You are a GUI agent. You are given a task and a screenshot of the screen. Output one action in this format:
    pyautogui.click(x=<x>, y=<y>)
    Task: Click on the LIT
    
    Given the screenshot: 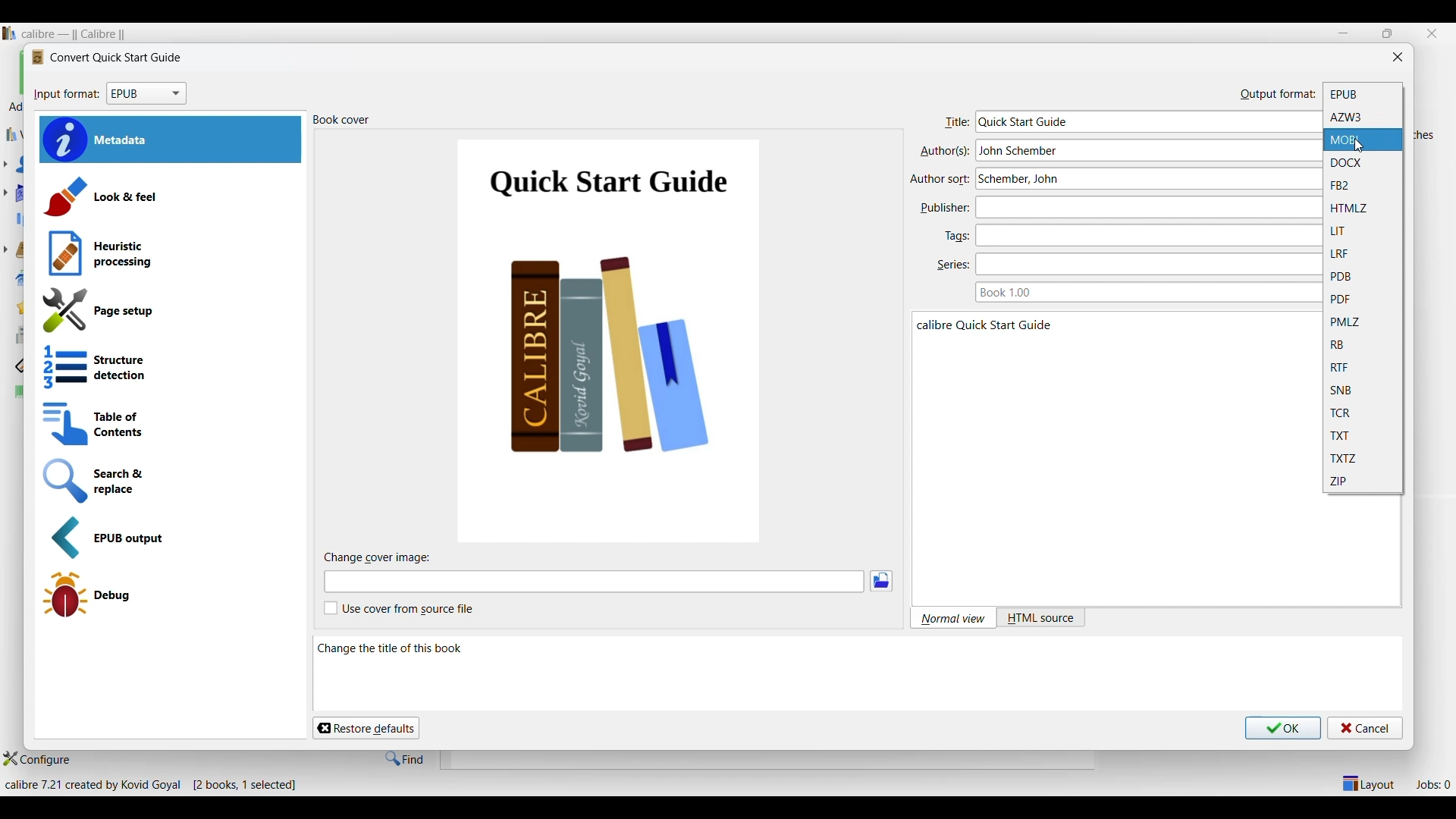 What is the action you would take?
    pyautogui.click(x=1362, y=231)
    